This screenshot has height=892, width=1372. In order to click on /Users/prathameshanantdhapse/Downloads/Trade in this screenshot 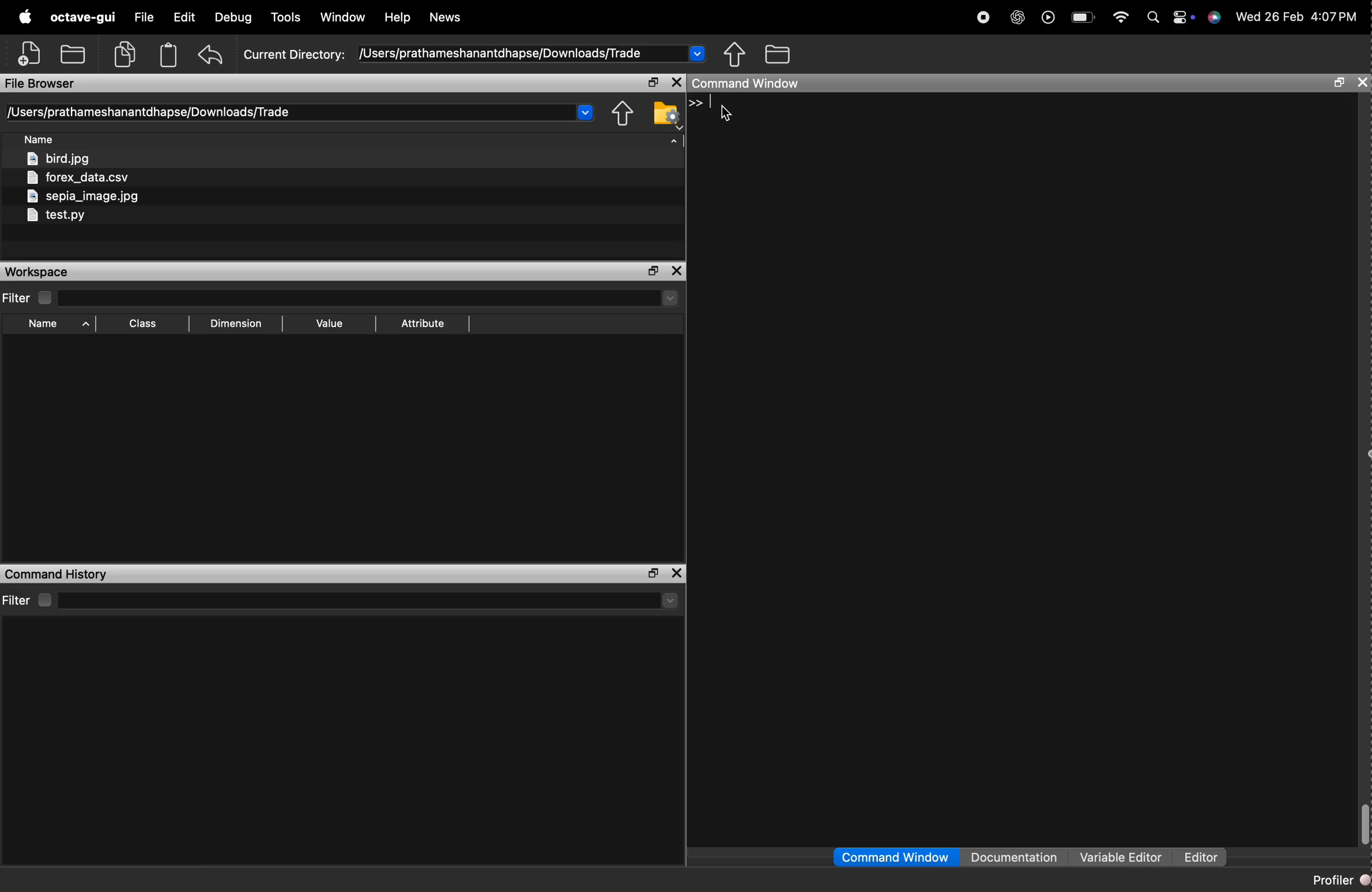, I will do `click(502, 54)`.